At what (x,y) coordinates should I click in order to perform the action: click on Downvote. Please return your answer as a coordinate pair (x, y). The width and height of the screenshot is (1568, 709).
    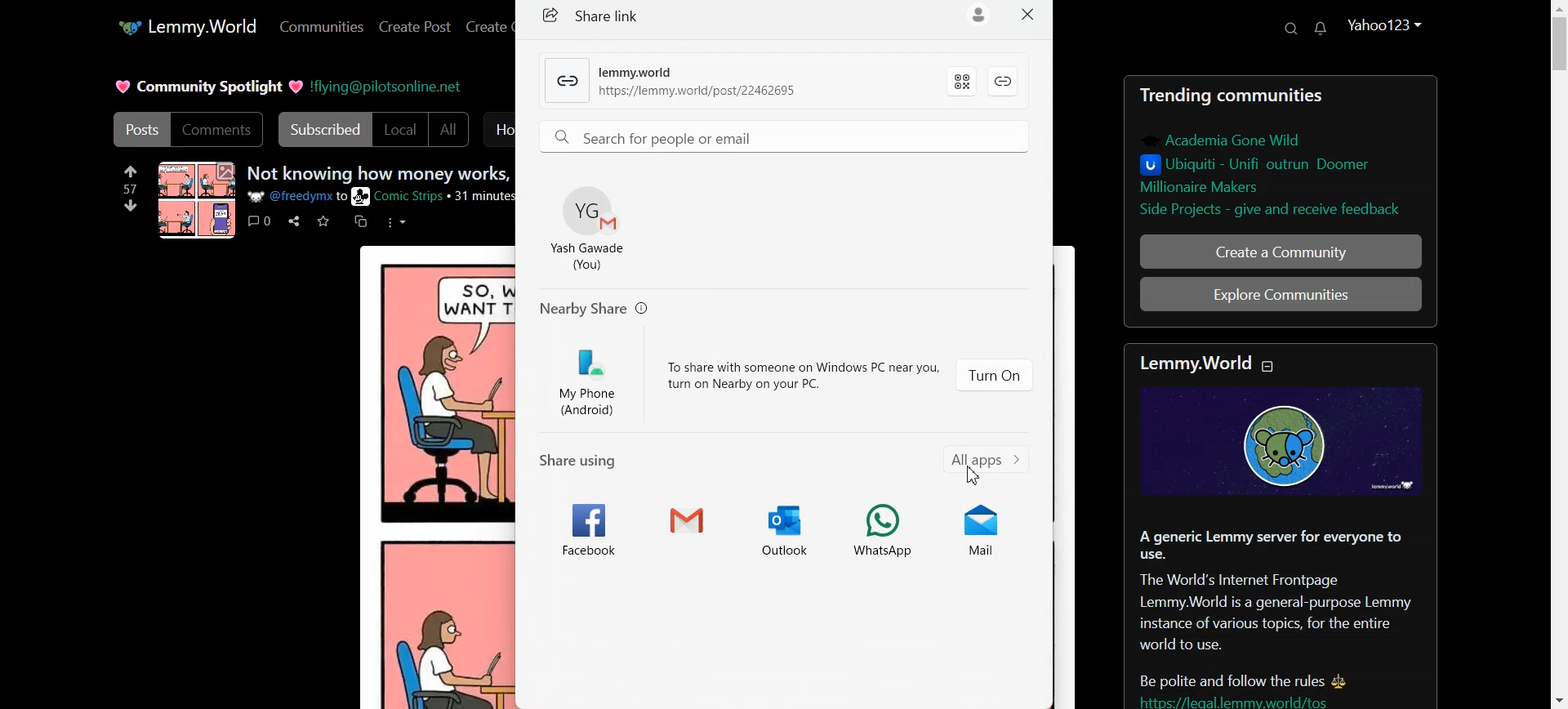
    Looking at the image, I should click on (131, 205).